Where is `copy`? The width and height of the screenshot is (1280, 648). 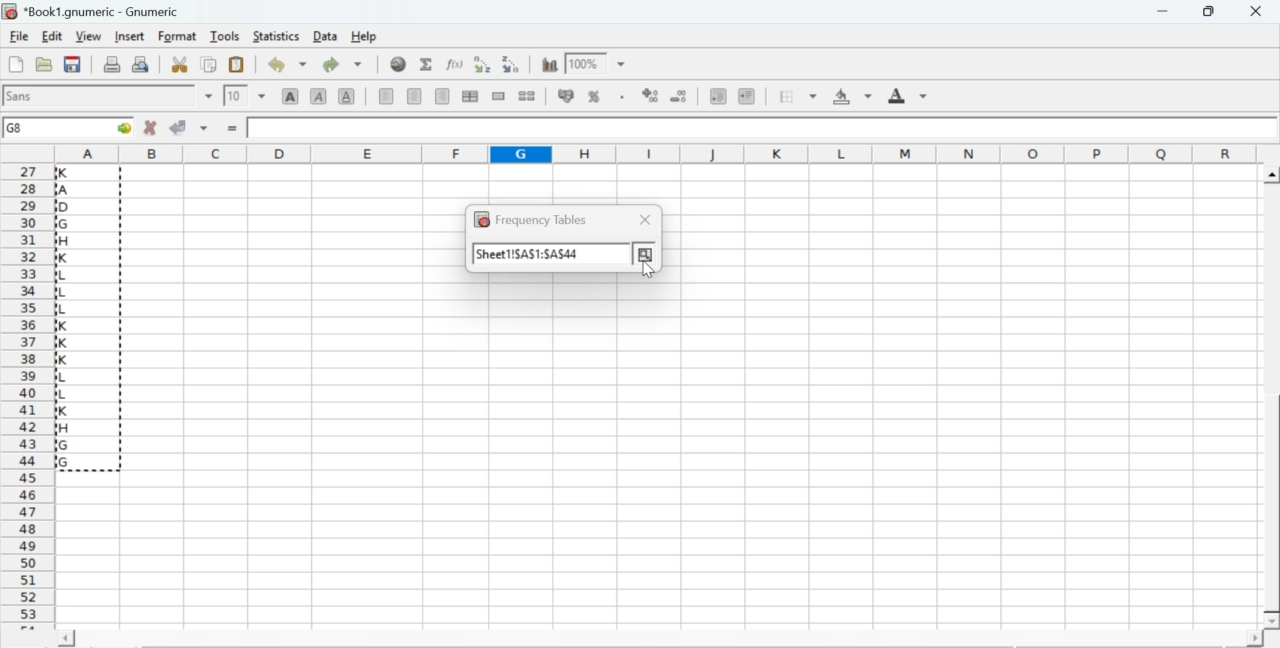
copy is located at coordinates (210, 64).